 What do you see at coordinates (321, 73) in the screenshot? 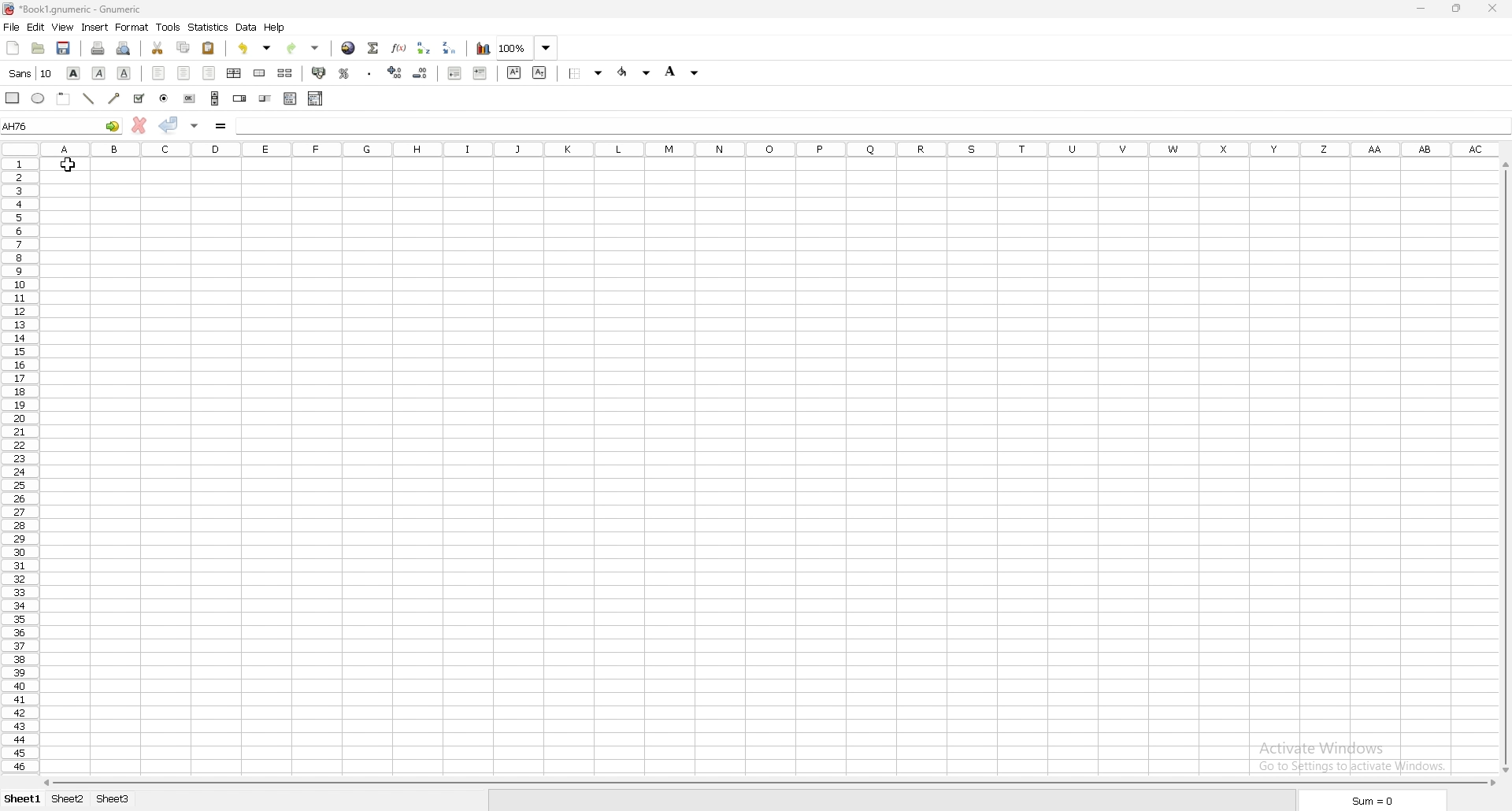
I see `accounting` at bounding box center [321, 73].